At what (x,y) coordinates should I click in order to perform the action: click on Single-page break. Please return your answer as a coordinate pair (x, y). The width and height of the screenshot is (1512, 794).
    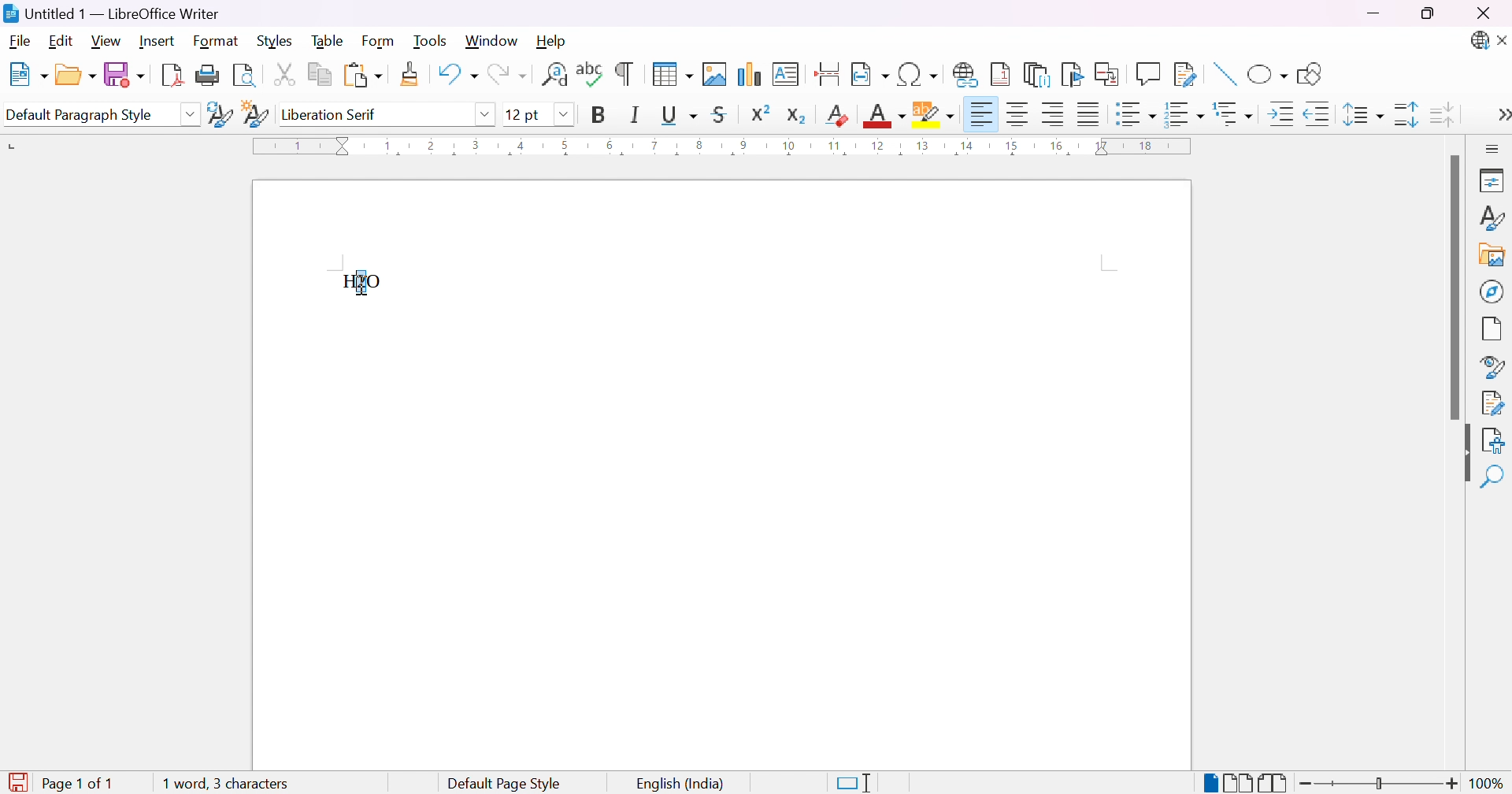
    Looking at the image, I should click on (1209, 784).